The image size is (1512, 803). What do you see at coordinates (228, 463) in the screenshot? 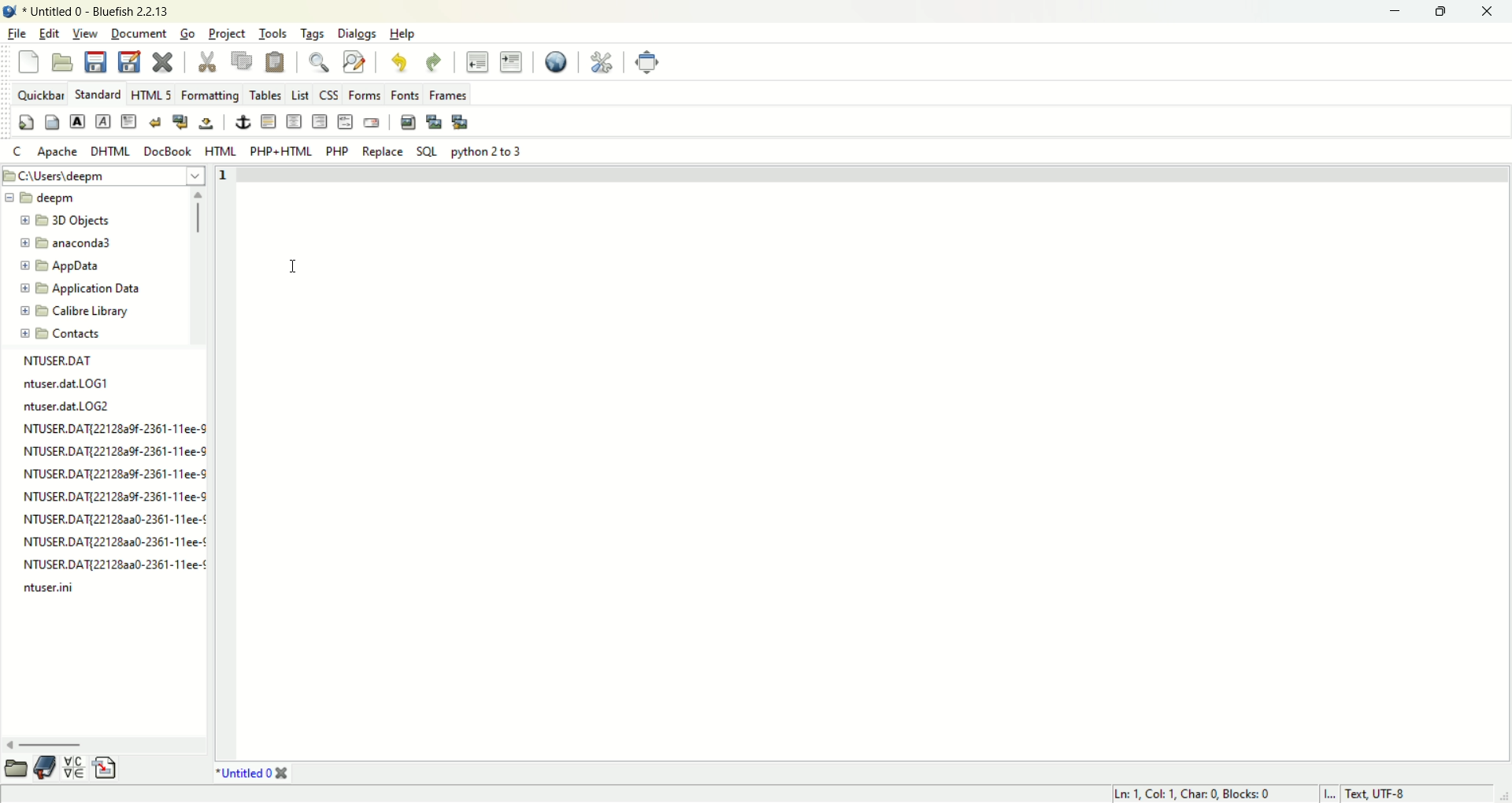
I see `line number` at bounding box center [228, 463].